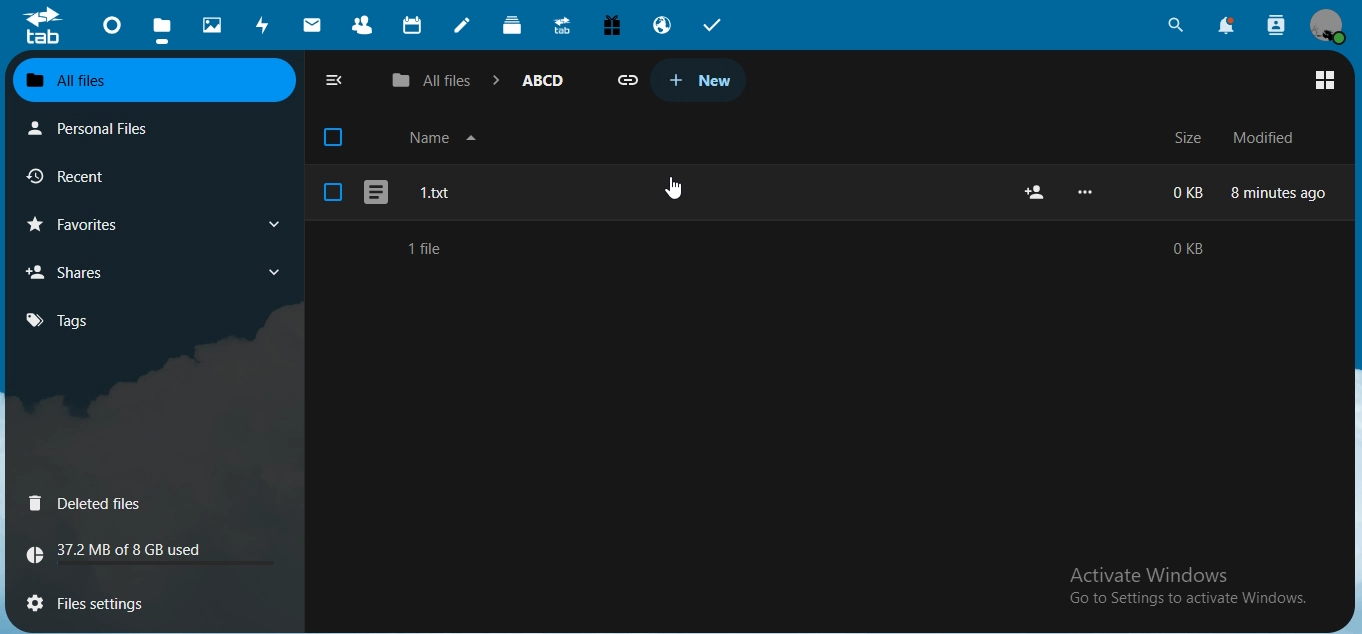 The image size is (1362, 634). I want to click on modified, so click(1261, 137).